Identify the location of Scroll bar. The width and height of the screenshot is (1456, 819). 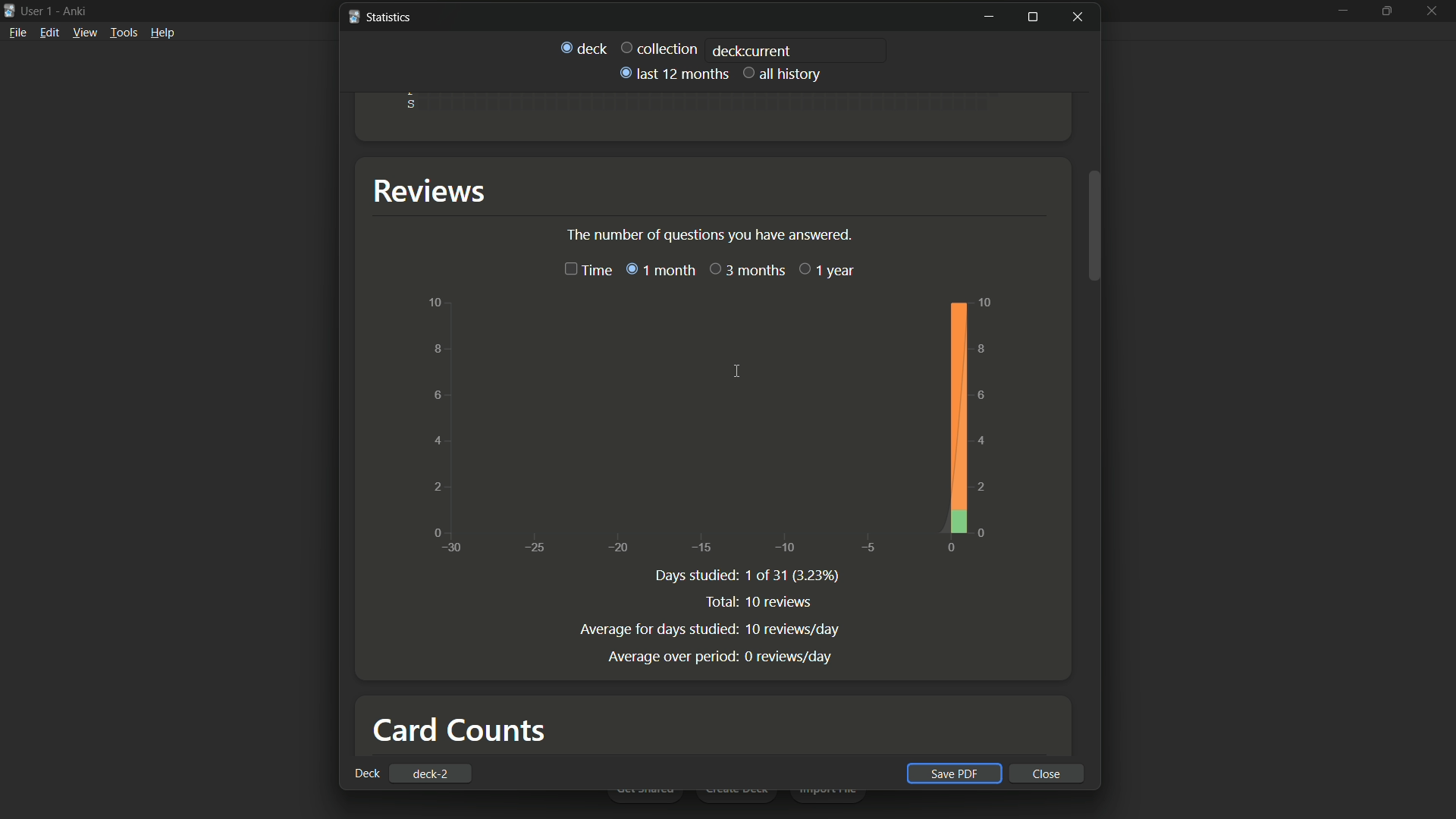
(1094, 227).